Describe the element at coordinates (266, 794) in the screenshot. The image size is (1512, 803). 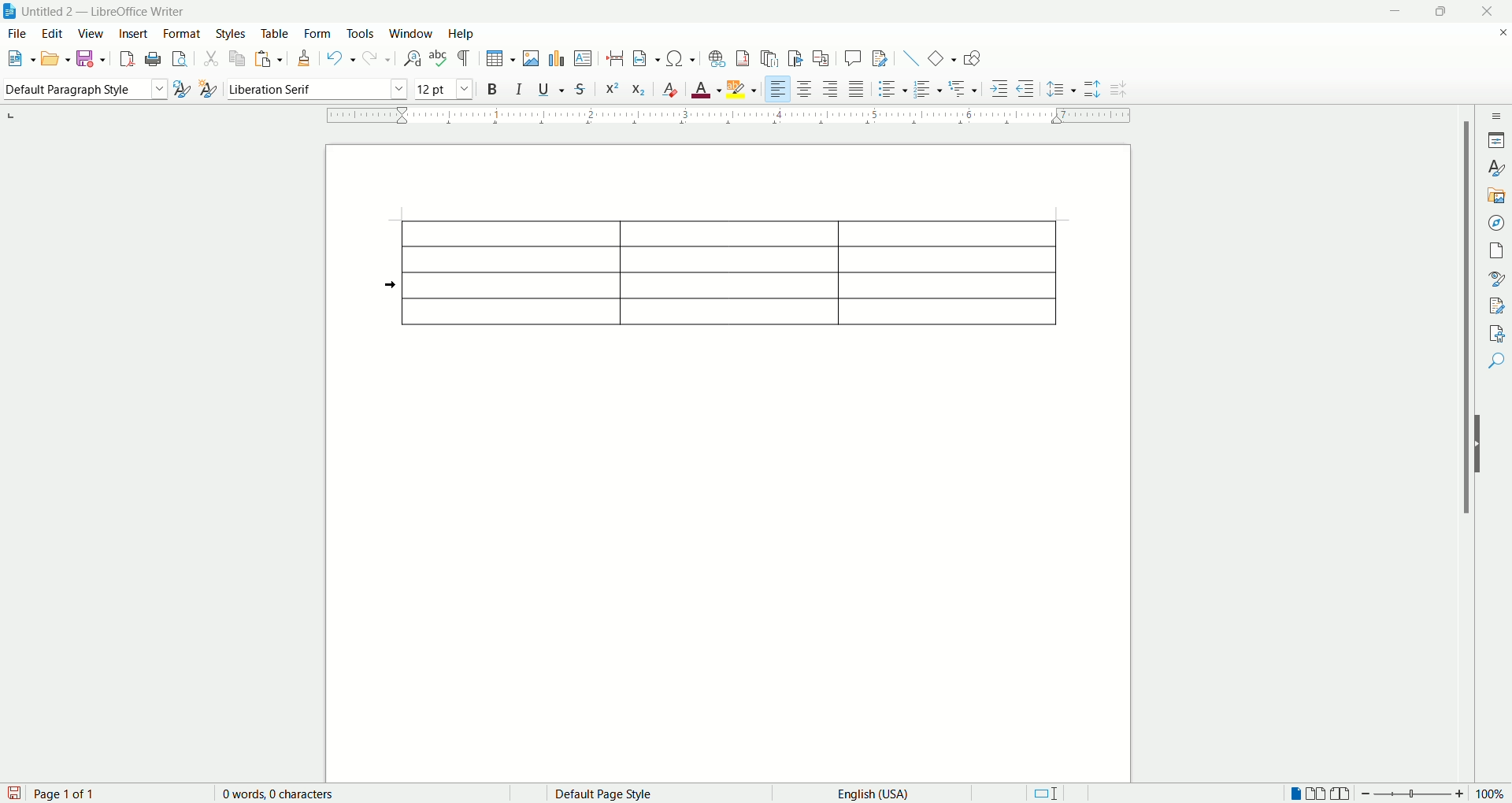
I see `0 words, 0 characters` at that location.